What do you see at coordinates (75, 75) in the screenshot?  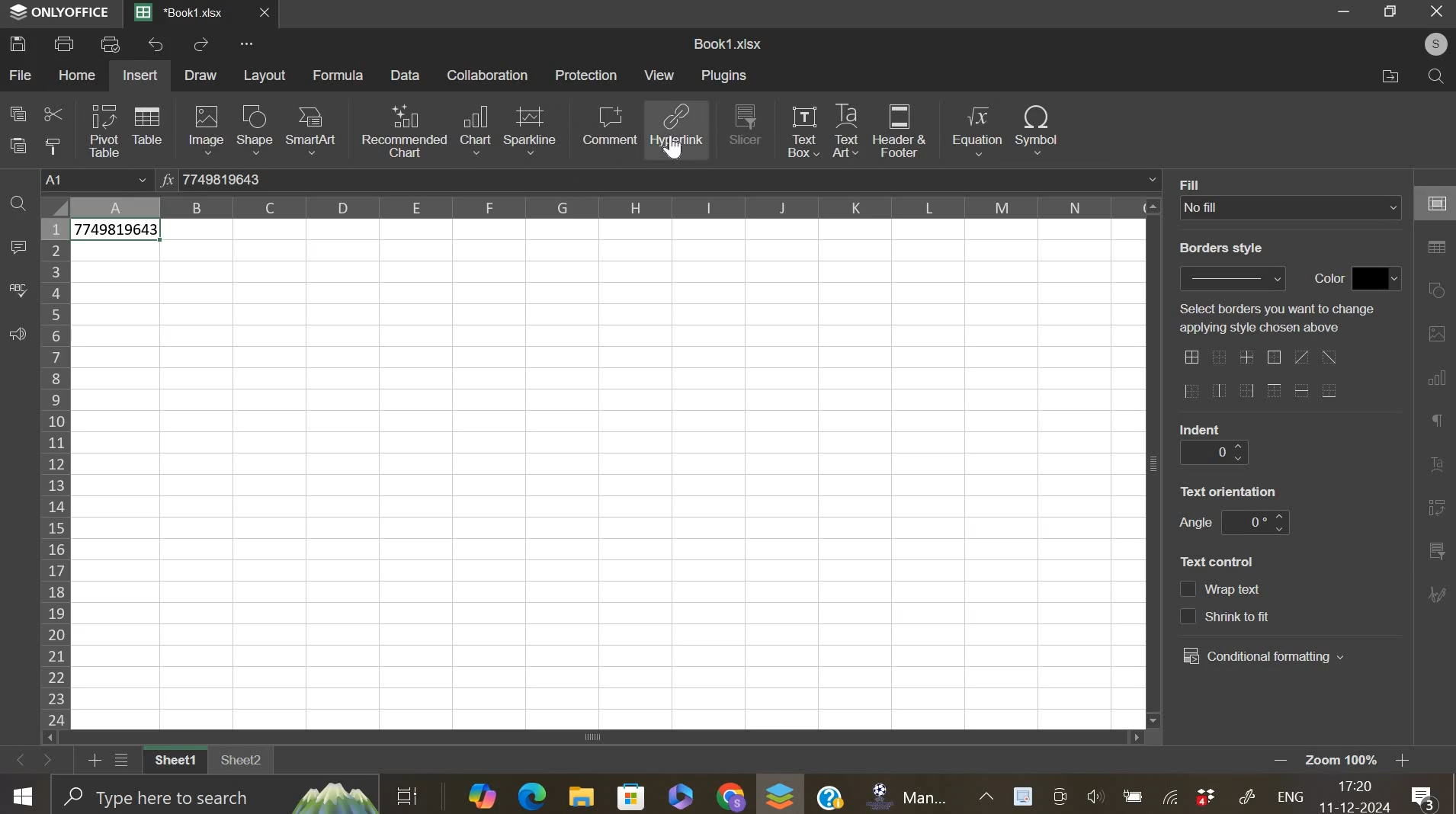 I see `home` at bounding box center [75, 75].